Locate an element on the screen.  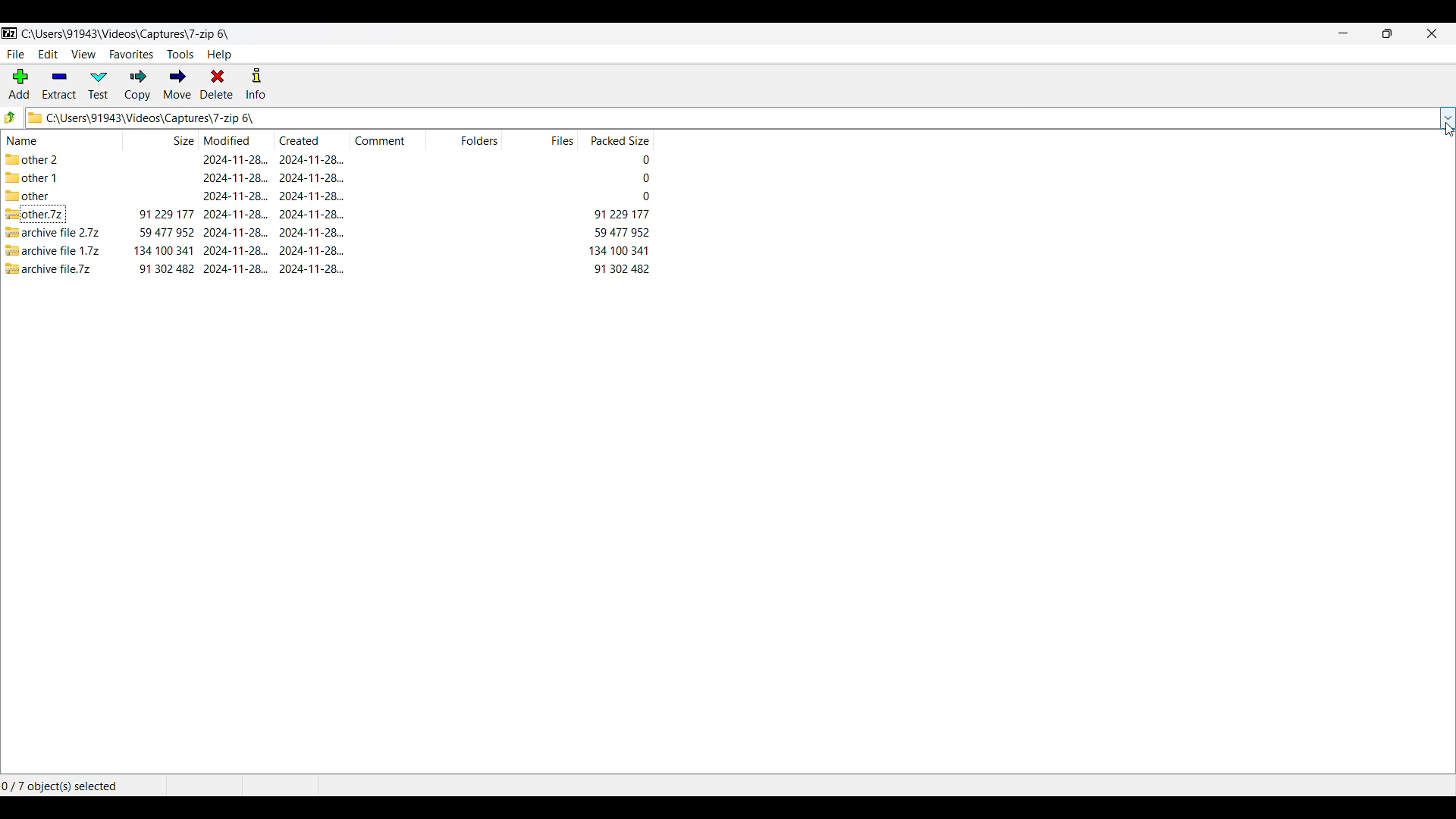
zip folder is located at coordinates (53, 250).